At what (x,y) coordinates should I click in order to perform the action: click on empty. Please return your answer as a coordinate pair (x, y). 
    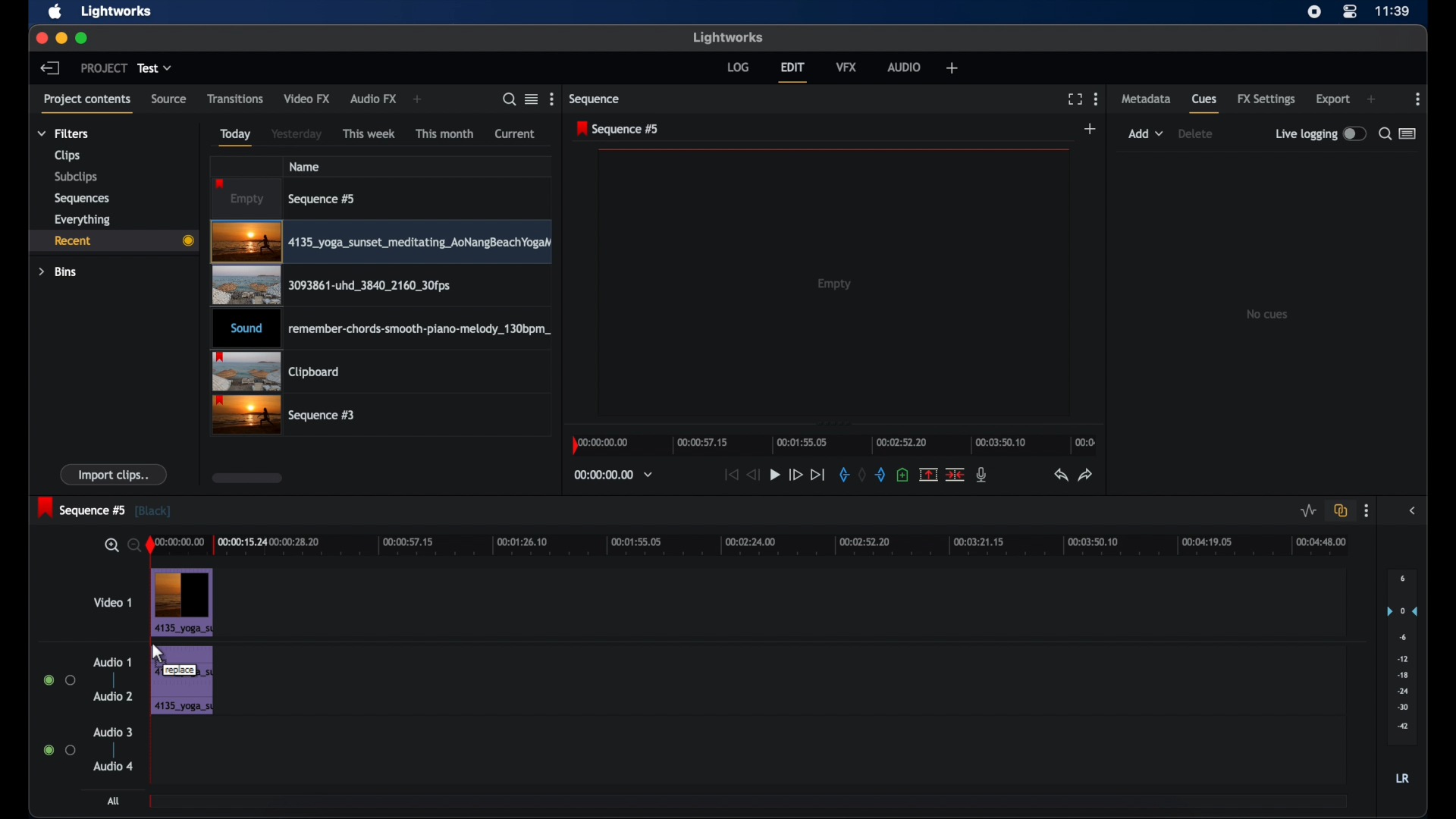
    Looking at the image, I should click on (836, 284).